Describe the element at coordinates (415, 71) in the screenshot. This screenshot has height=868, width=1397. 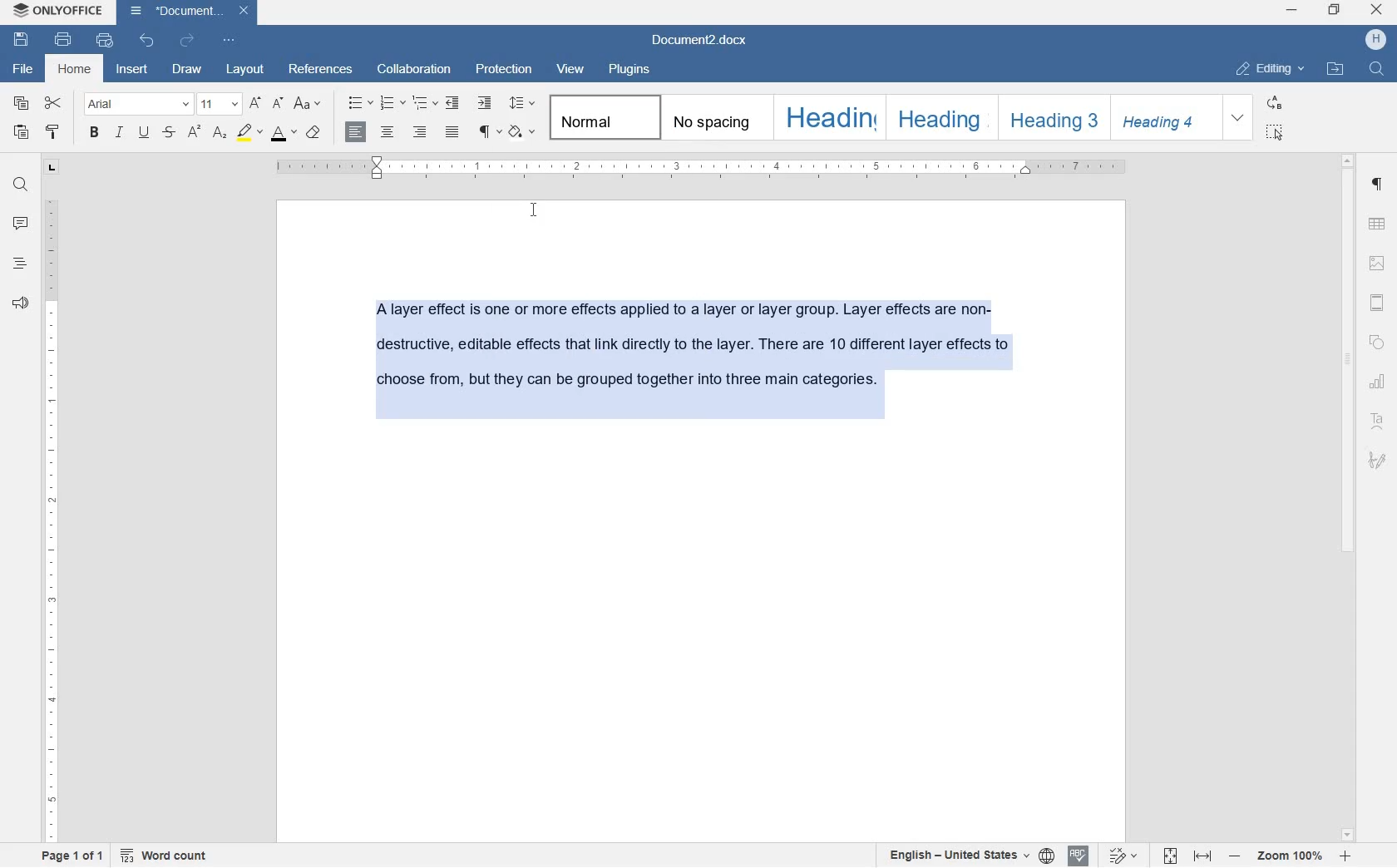
I see `collaboration` at that location.